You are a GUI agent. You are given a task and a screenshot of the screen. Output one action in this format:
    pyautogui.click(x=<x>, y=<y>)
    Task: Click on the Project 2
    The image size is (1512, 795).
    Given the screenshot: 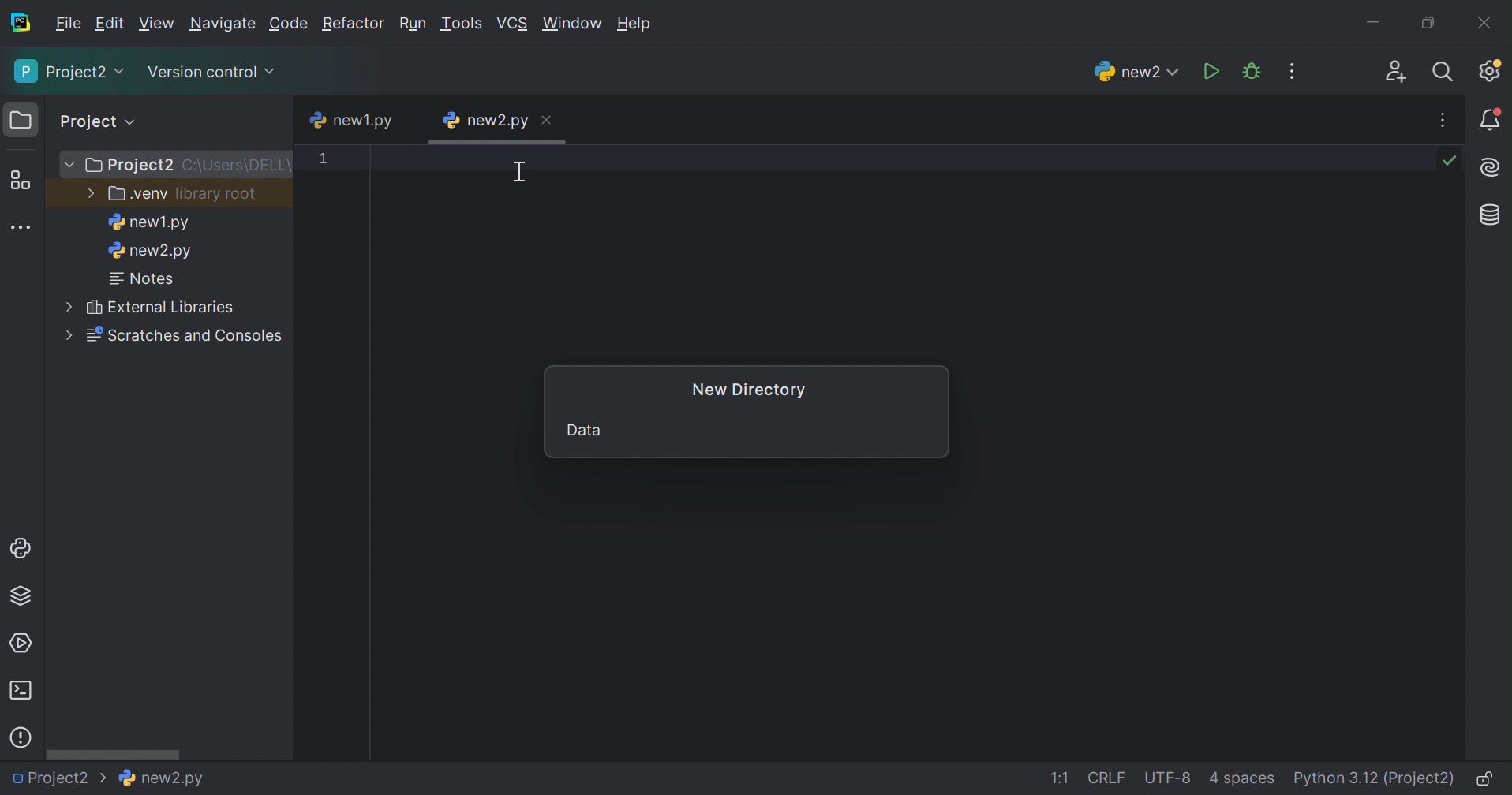 What is the action you would take?
    pyautogui.click(x=132, y=166)
    